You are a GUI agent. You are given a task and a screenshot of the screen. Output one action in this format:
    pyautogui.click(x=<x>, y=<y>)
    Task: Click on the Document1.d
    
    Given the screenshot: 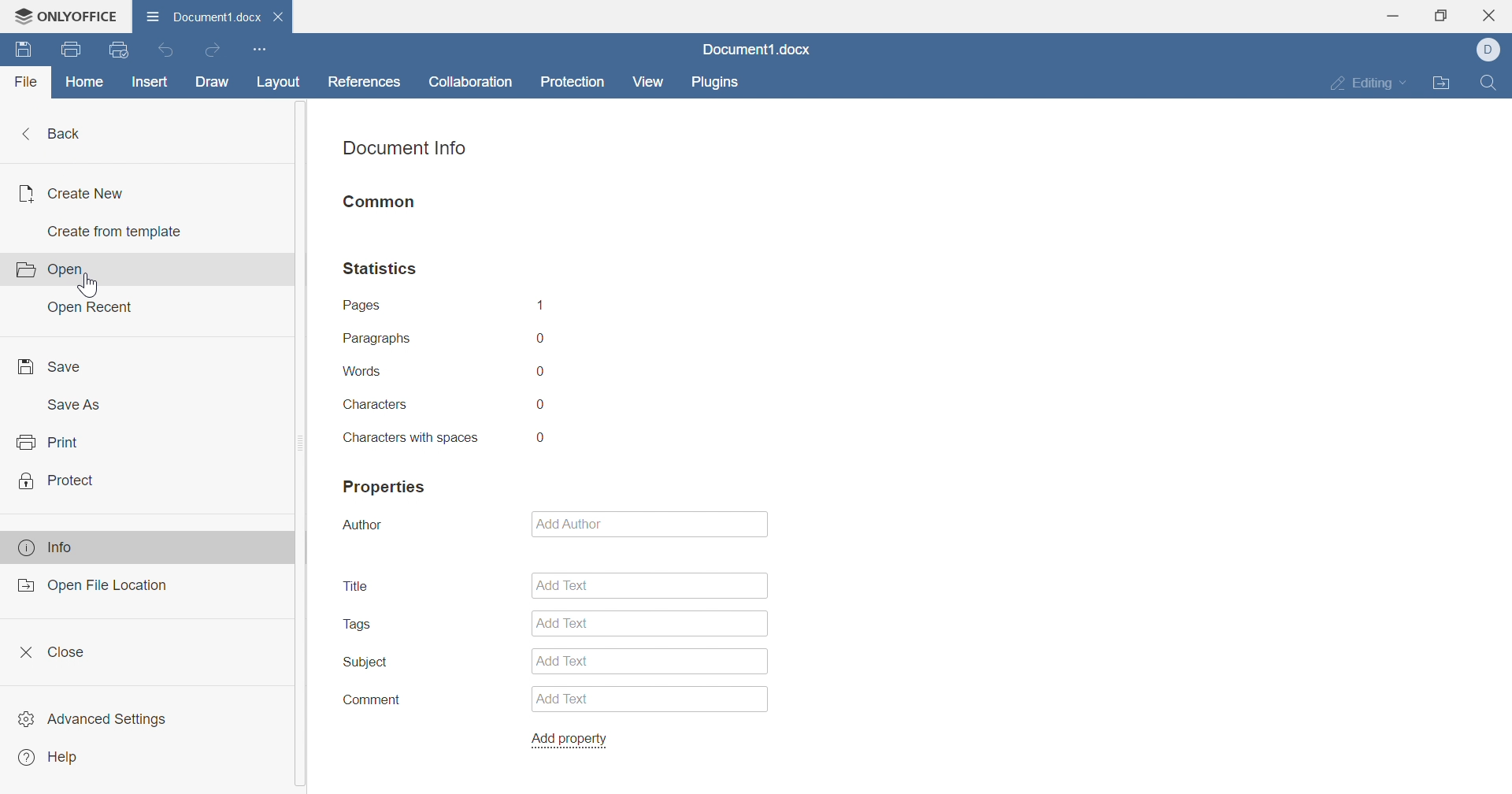 What is the action you would take?
    pyautogui.click(x=201, y=16)
    